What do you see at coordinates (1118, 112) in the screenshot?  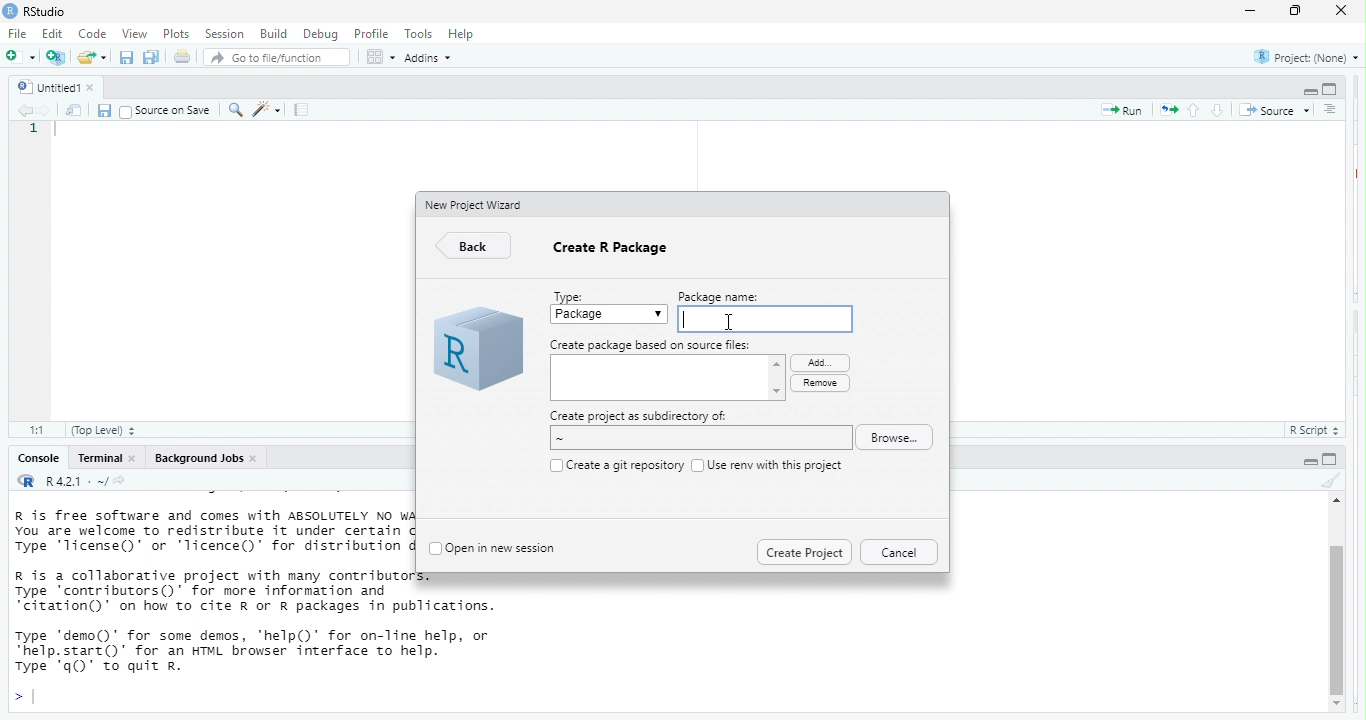 I see `run` at bounding box center [1118, 112].